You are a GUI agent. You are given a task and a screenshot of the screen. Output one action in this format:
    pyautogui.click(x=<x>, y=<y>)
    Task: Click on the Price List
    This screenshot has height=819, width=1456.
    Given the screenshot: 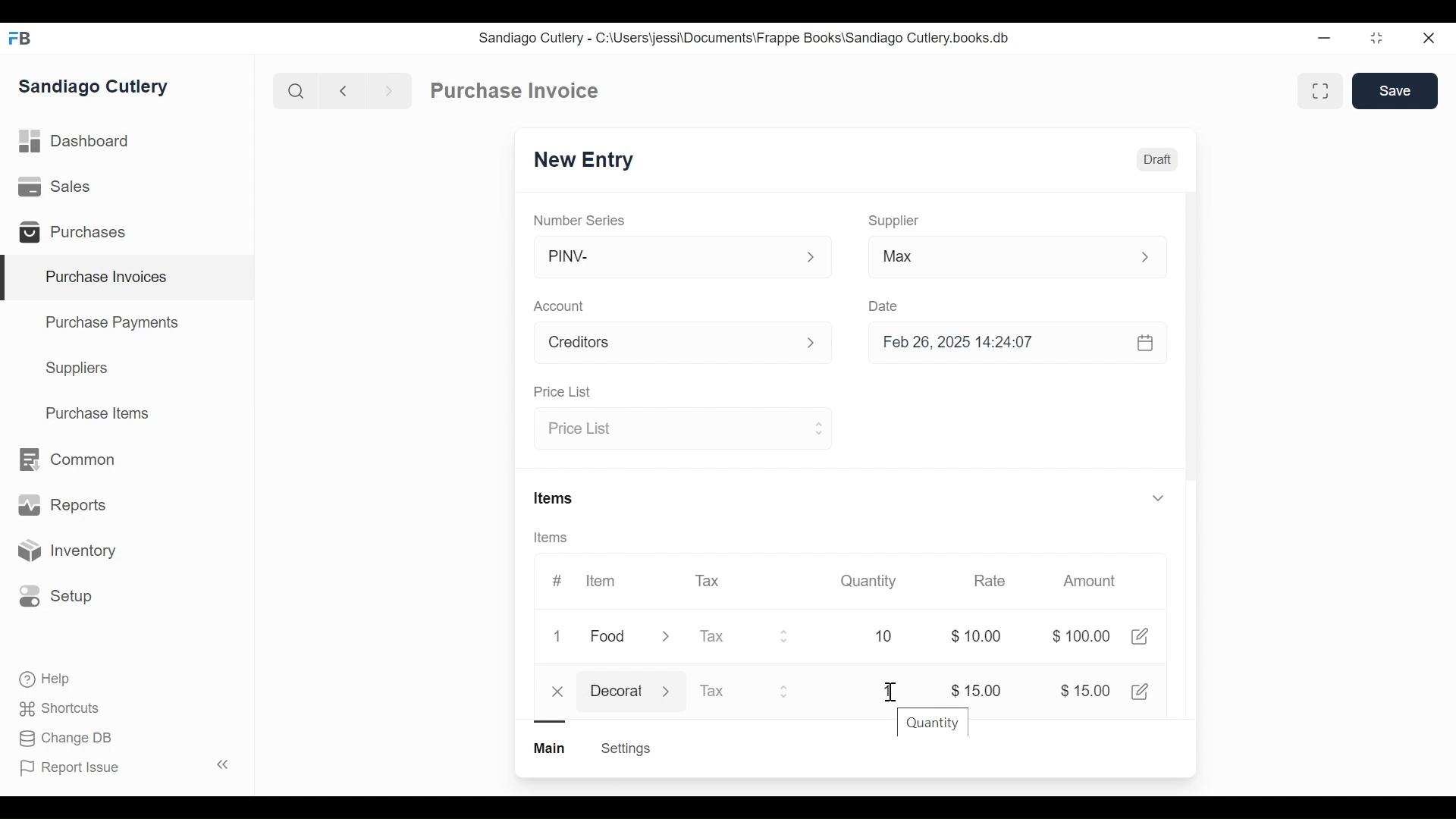 What is the action you would take?
    pyautogui.click(x=561, y=393)
    